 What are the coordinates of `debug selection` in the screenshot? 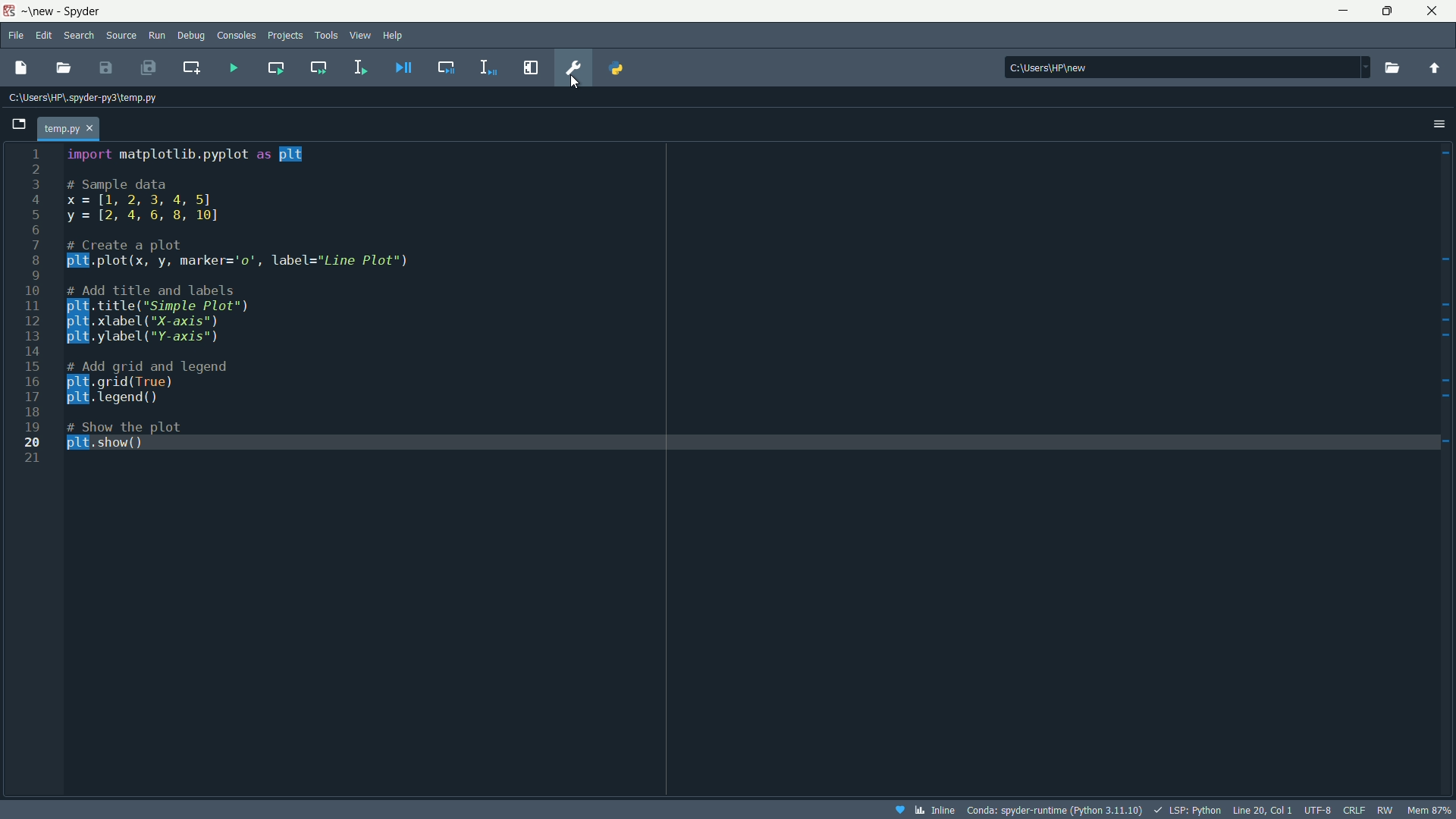 It's located at (489, 67).